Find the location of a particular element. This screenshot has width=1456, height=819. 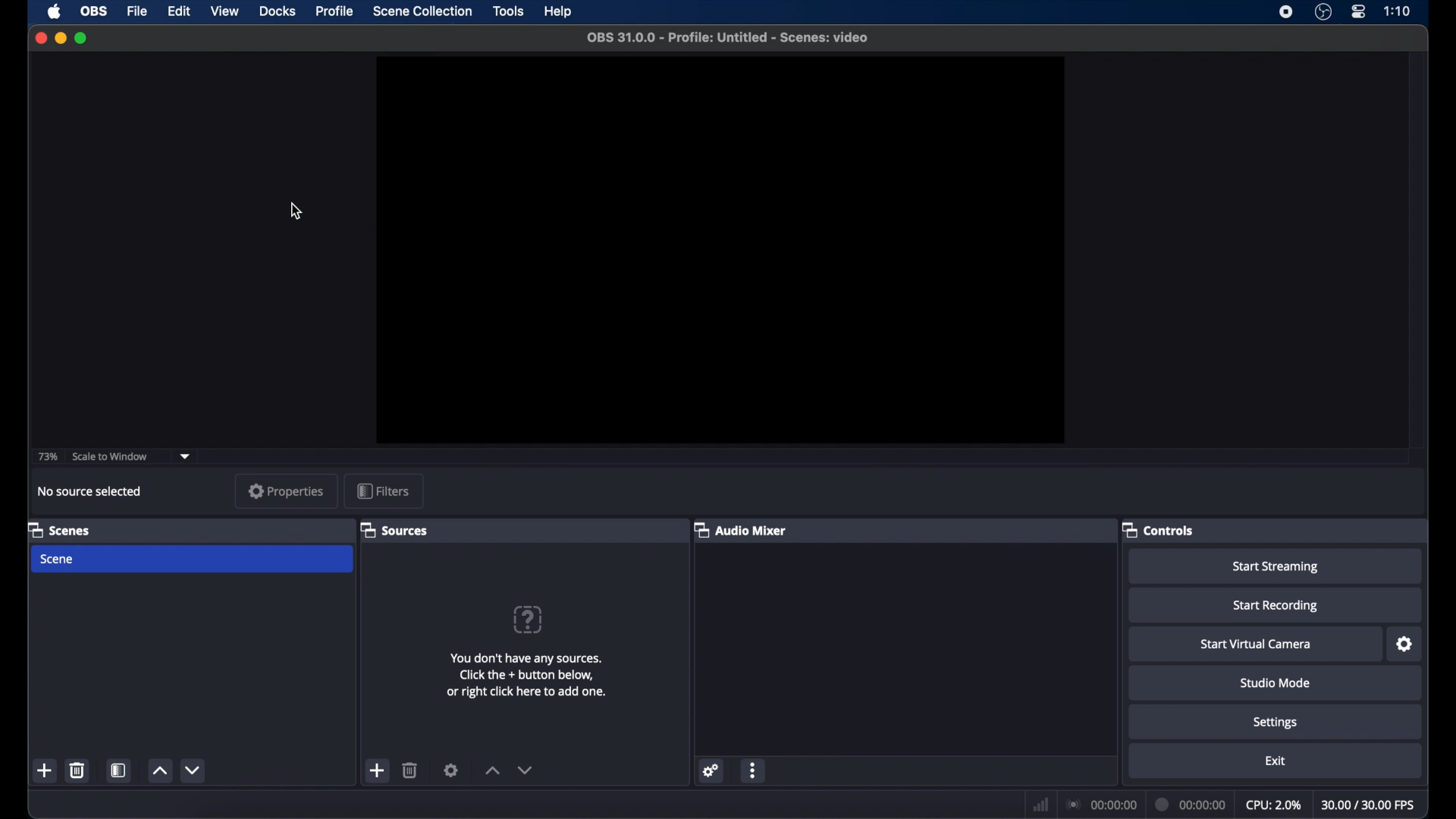

delete is located at coordinates (413, 770).